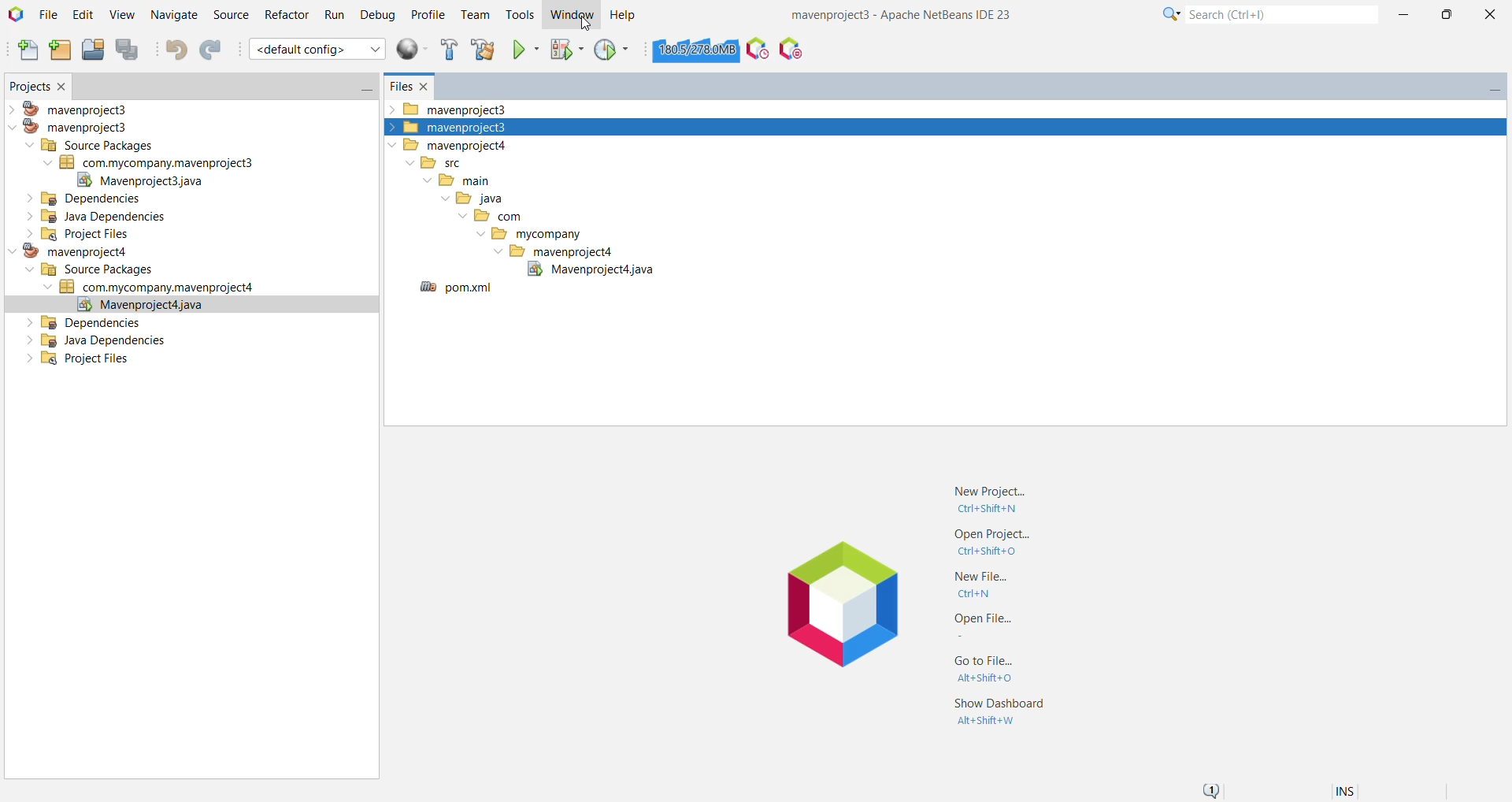  What do you see at coordinates (1405, 16) in the screenshot?
I see `Minimize` at bounding box center [1405, 16].